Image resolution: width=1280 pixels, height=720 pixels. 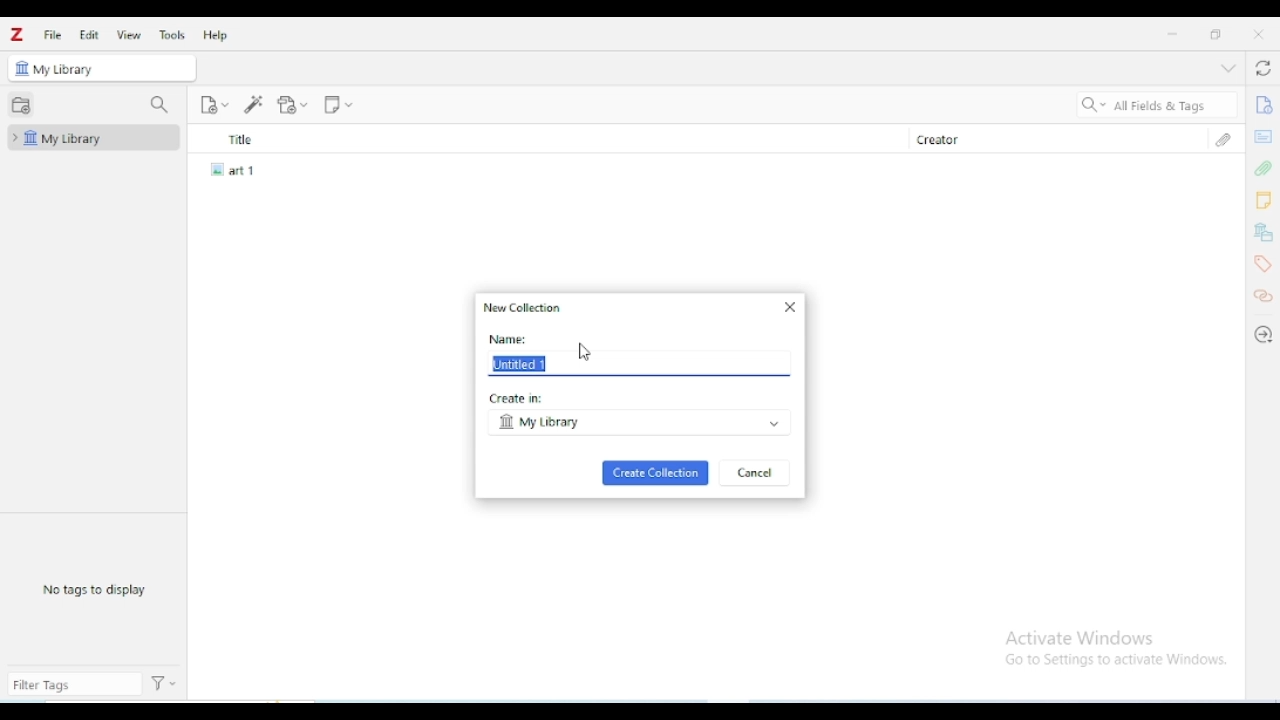 What do you see at coordinates (643, 365) in the screenshot?
I see `Untitled 1` at bounding box center [643, 365].